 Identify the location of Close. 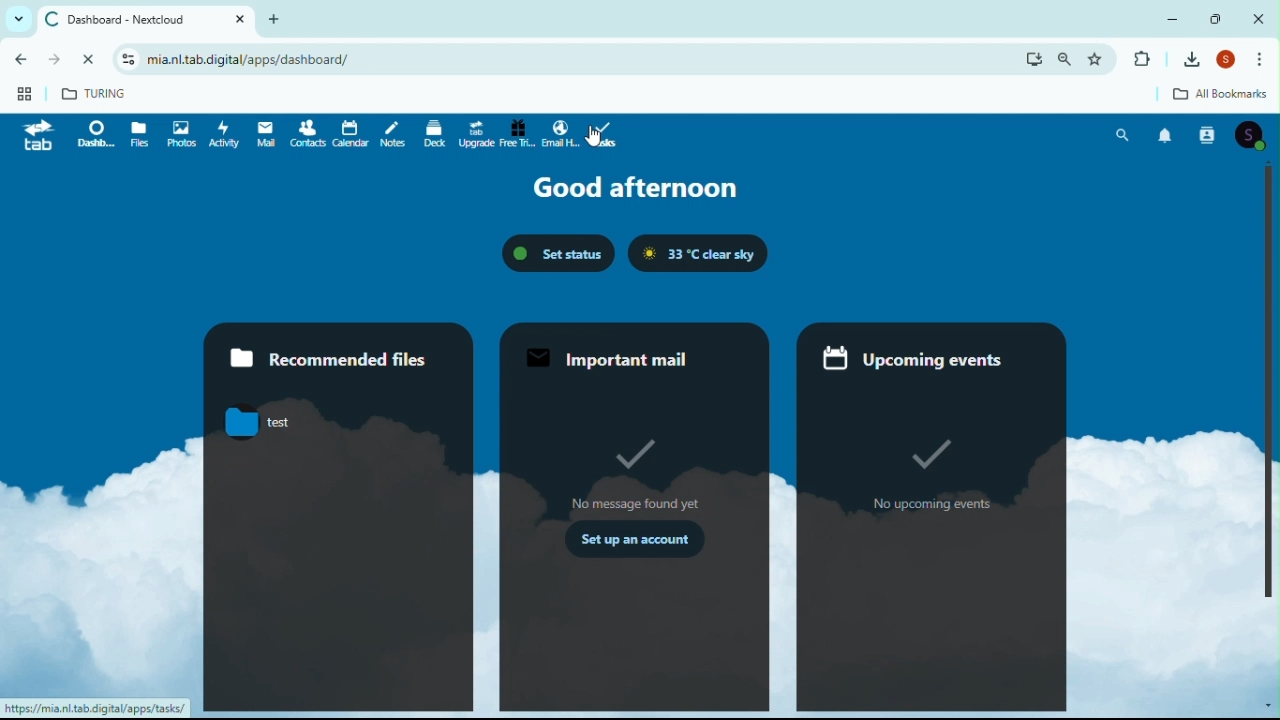
(1258, 18).